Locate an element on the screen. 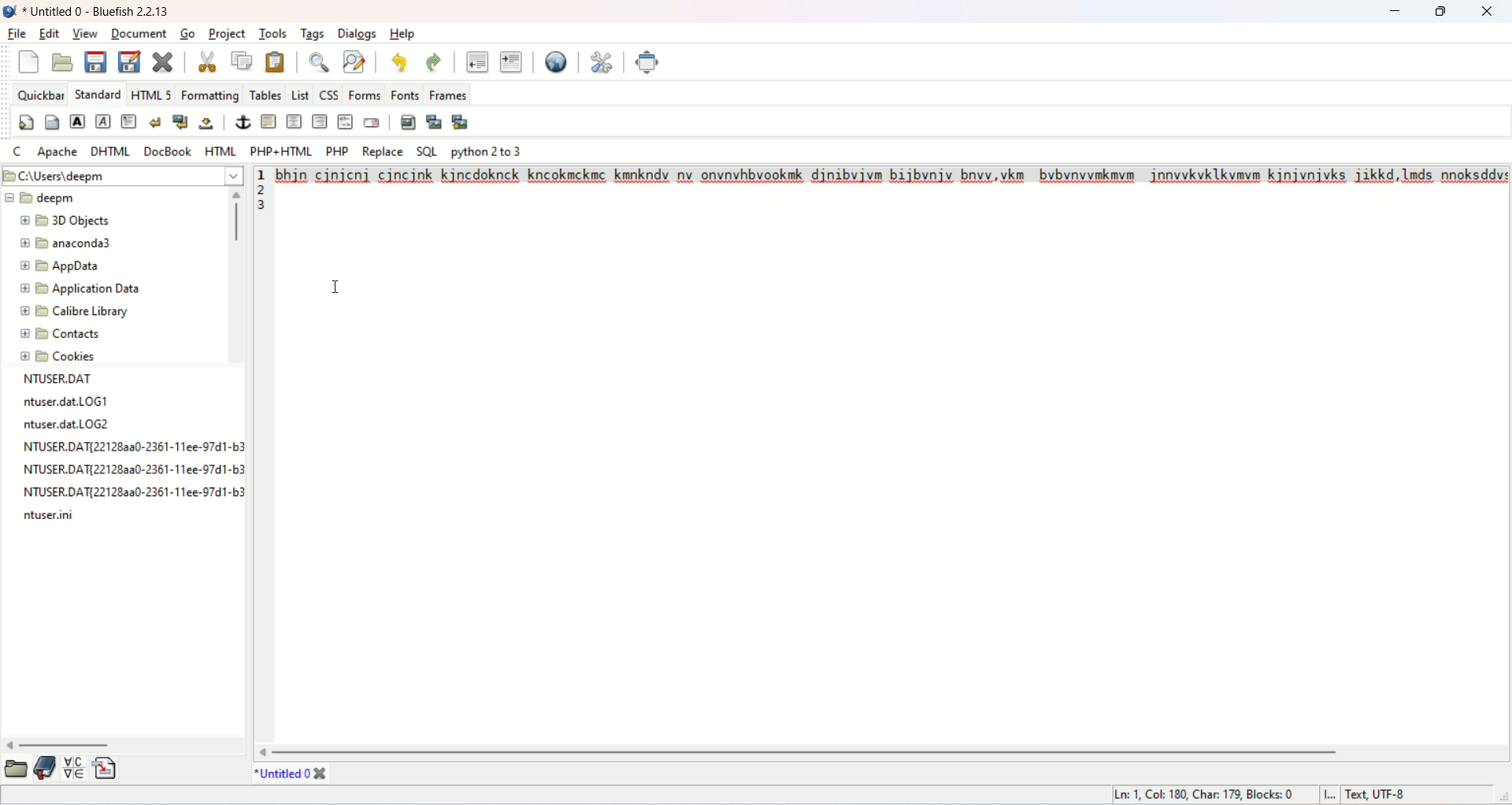 The image size is (1512, 805). multi thumbnail is located at coordinates (464, 121).